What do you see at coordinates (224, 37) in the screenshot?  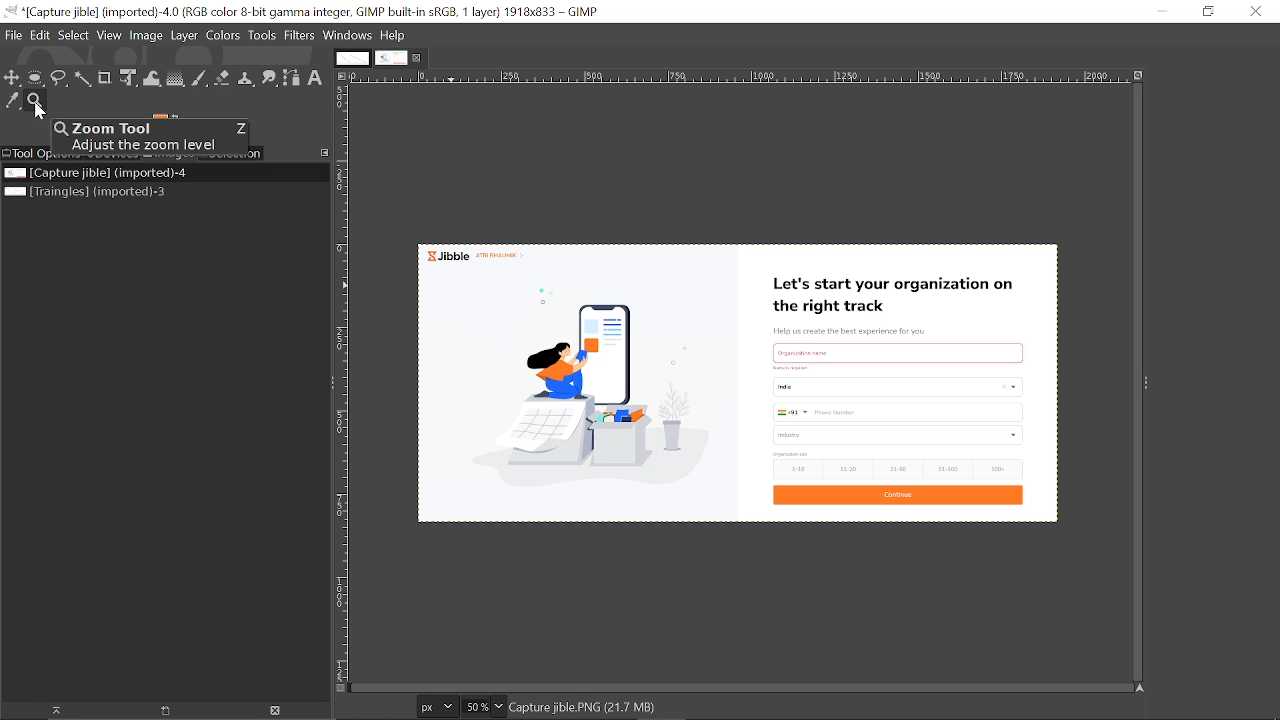 I see `Colors` at bounding box center [224, 37].